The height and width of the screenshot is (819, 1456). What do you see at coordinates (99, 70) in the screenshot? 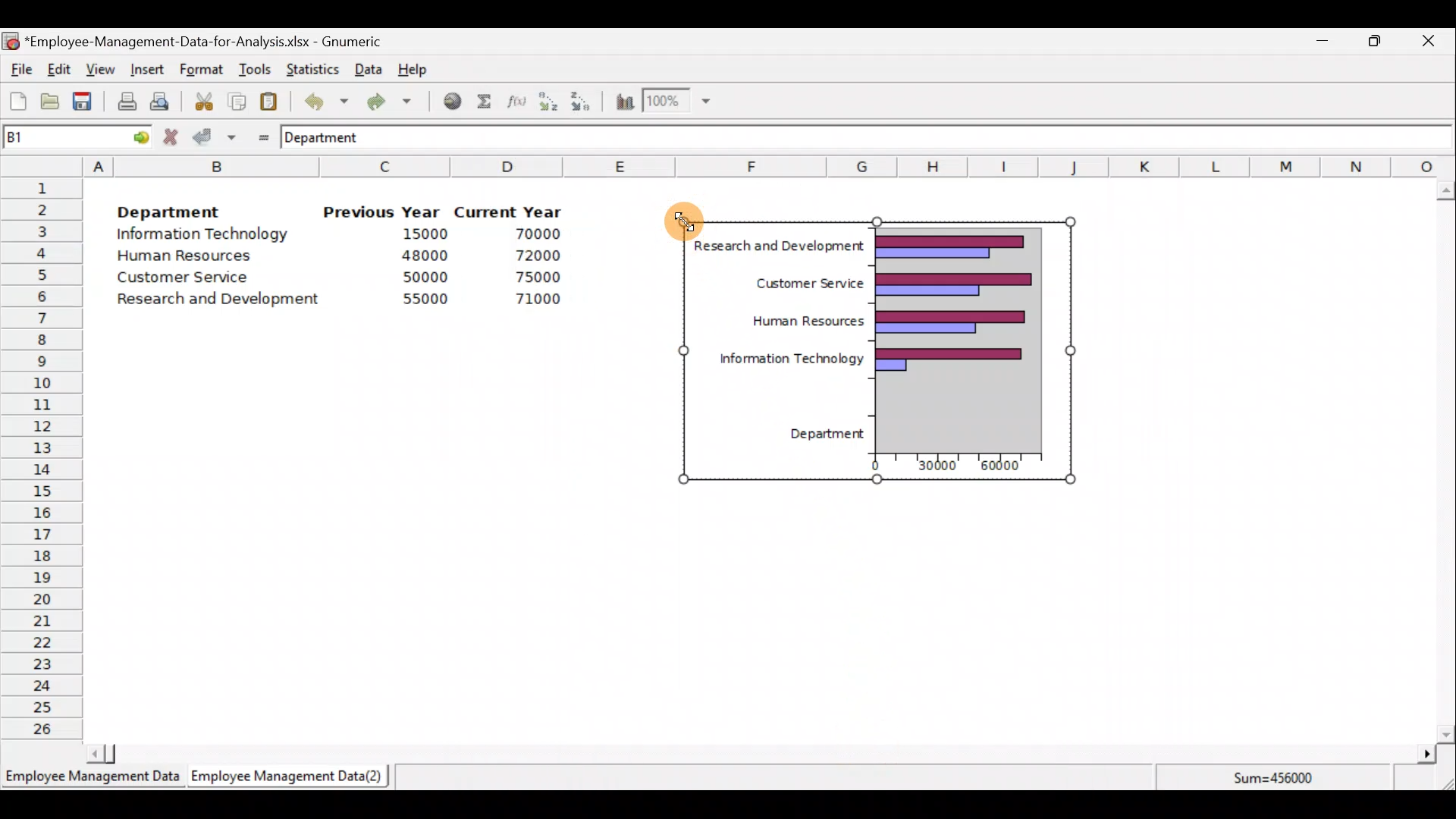
I see `View` at bounding box center [99, 70].